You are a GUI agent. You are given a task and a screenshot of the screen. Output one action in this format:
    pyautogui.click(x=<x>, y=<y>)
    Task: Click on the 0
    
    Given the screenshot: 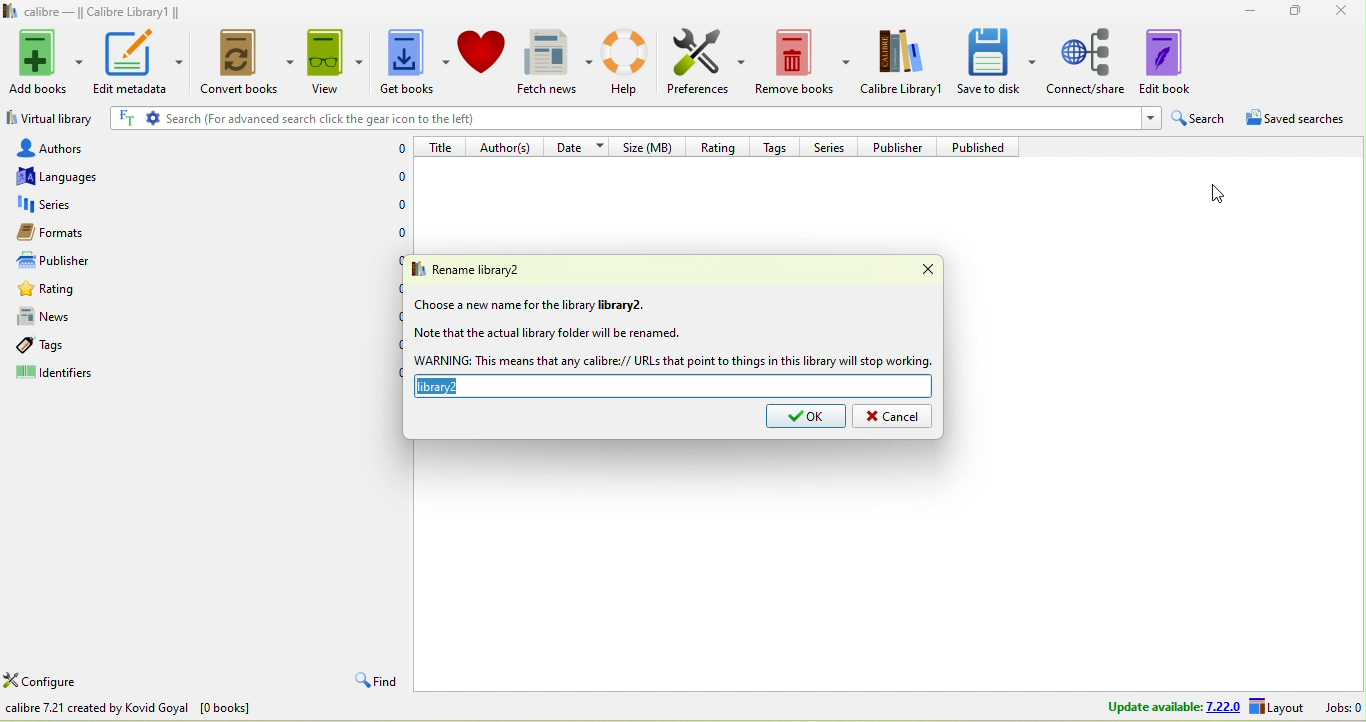 What is the action you would take?
    pyautogui.click(x=393, y=258)
    